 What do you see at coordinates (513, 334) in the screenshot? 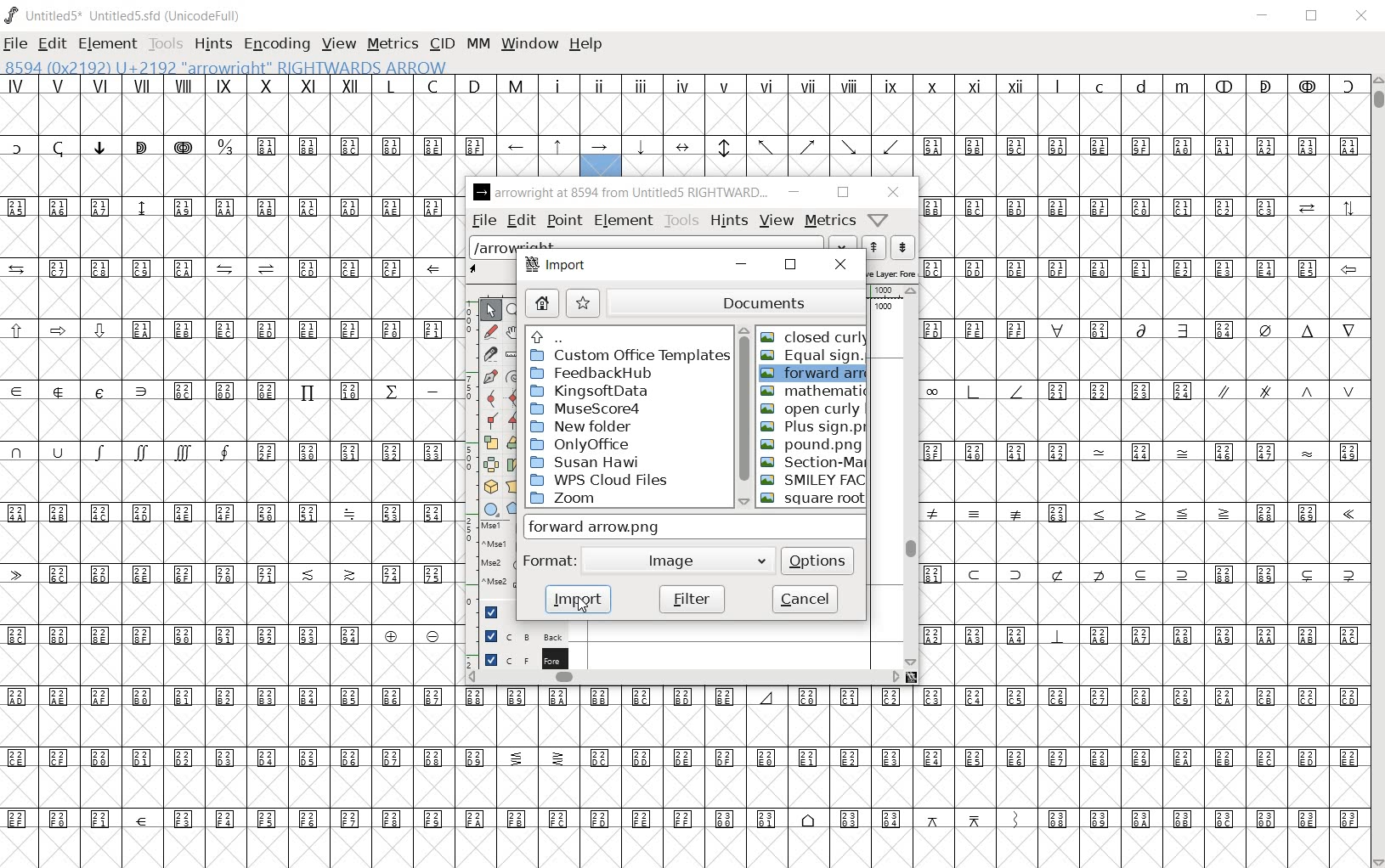
I see `scroll by hand` at bounding box center [513, 334].